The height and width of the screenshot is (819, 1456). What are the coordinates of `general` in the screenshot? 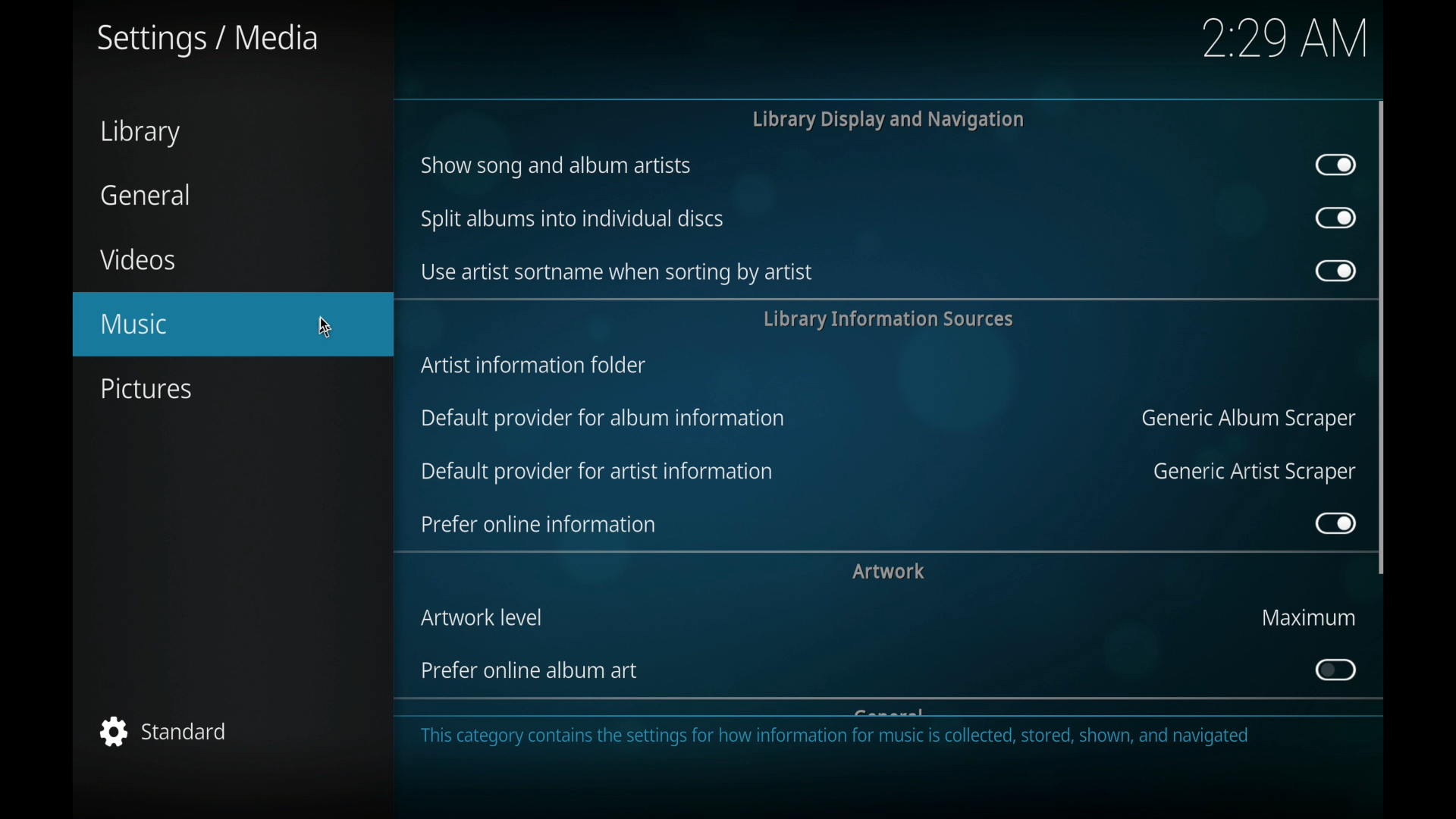 It's located at (146, 195).